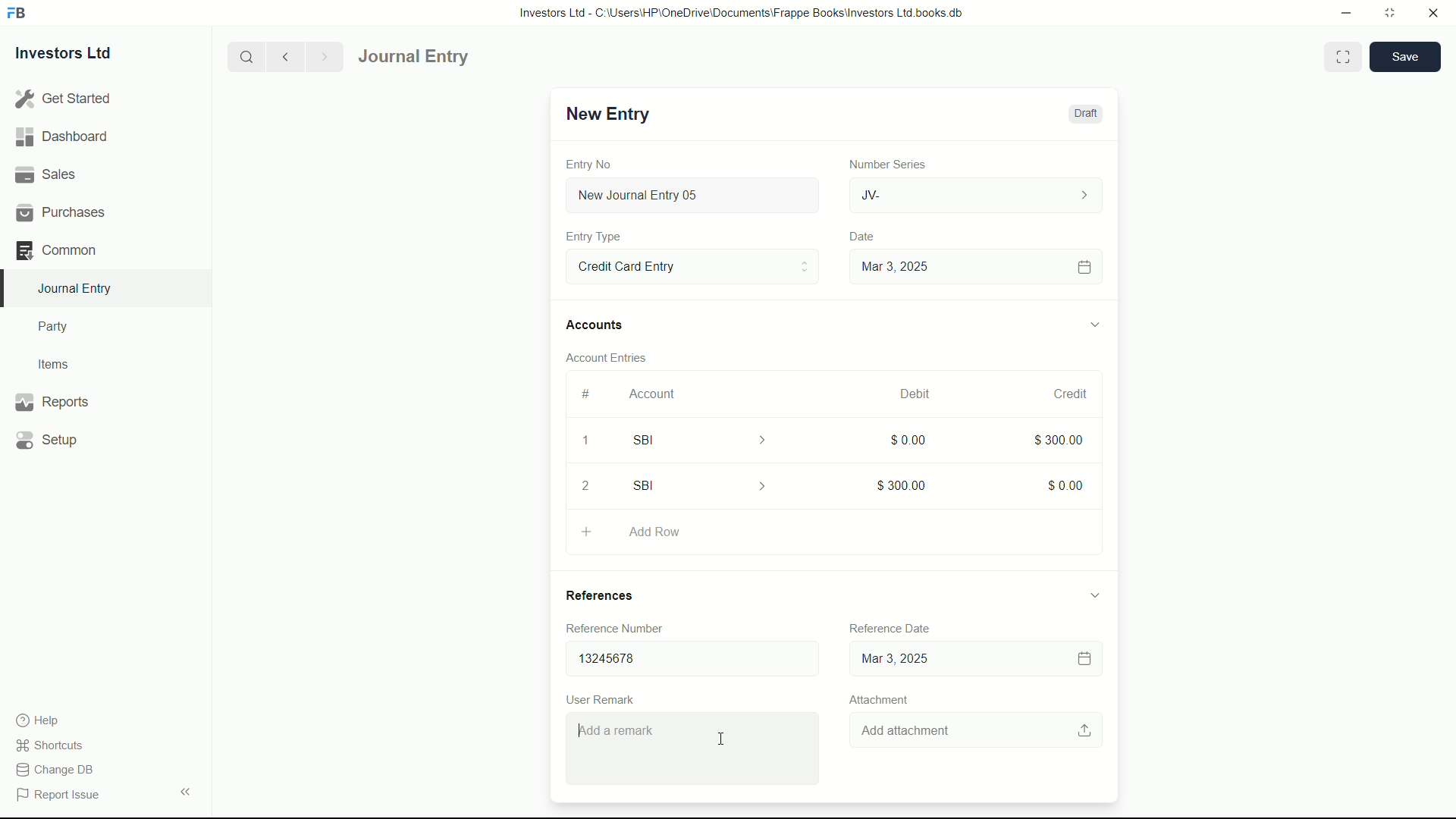 The width and height of the screenshot is (1456, 819). What do you see at coordinates (878, 699) in the screenshot?
I see `Attachment` at bounding box center [878, 699].